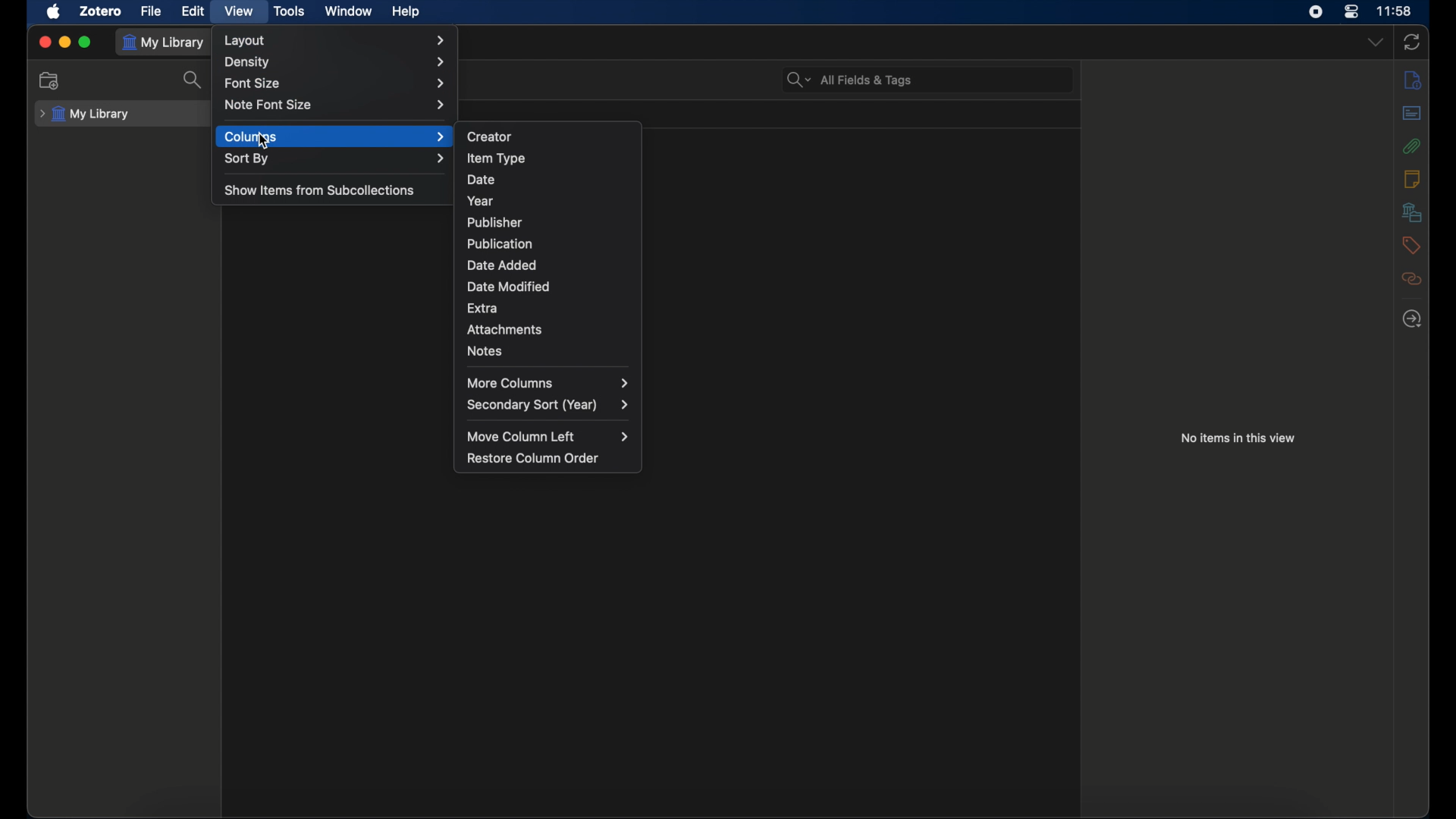 The width and height of the screenshot is (1456, 819). What do you see at coordinates (1394, 11) in the screenshot?
I see `time` at bounding box center [1394, 11].